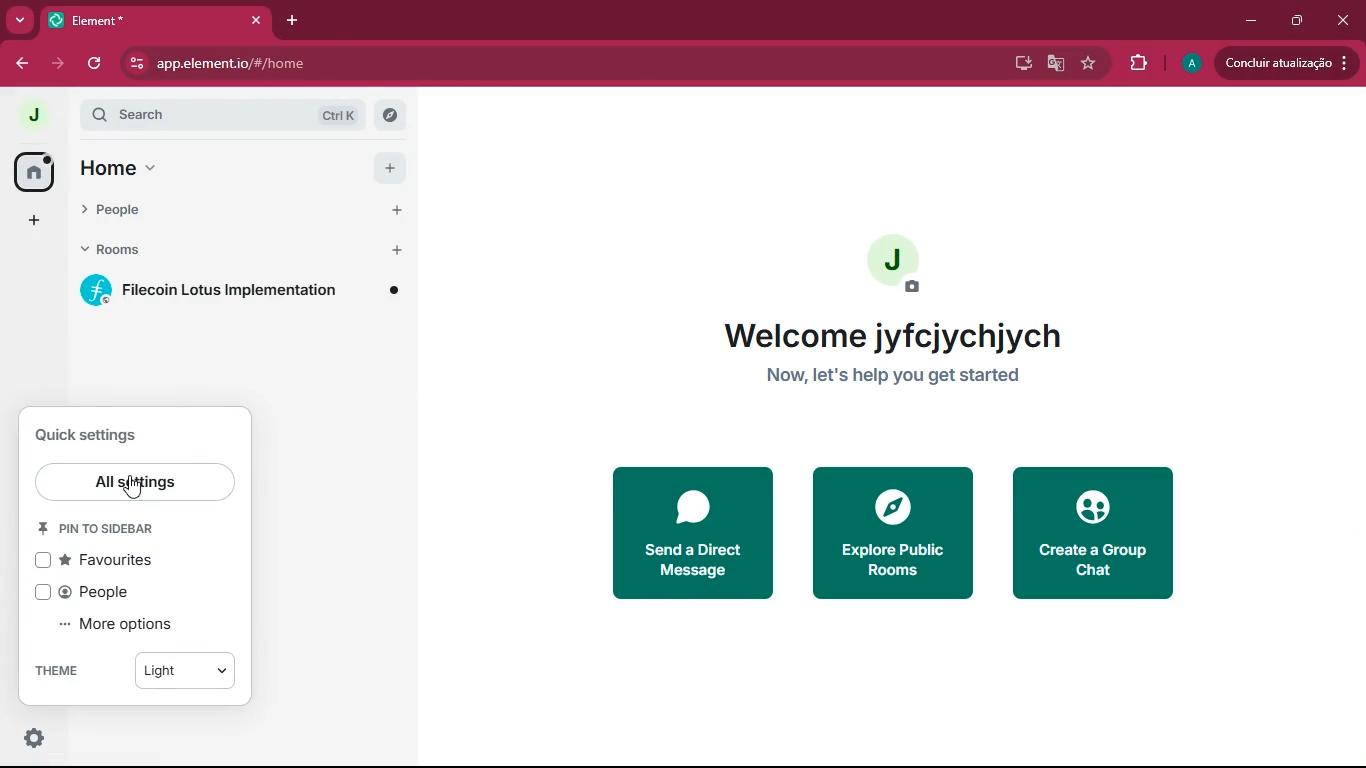  What do you see at coordinates (297, 21) in the screenshot?
I see `add tab` at bounding box center [297, 21].